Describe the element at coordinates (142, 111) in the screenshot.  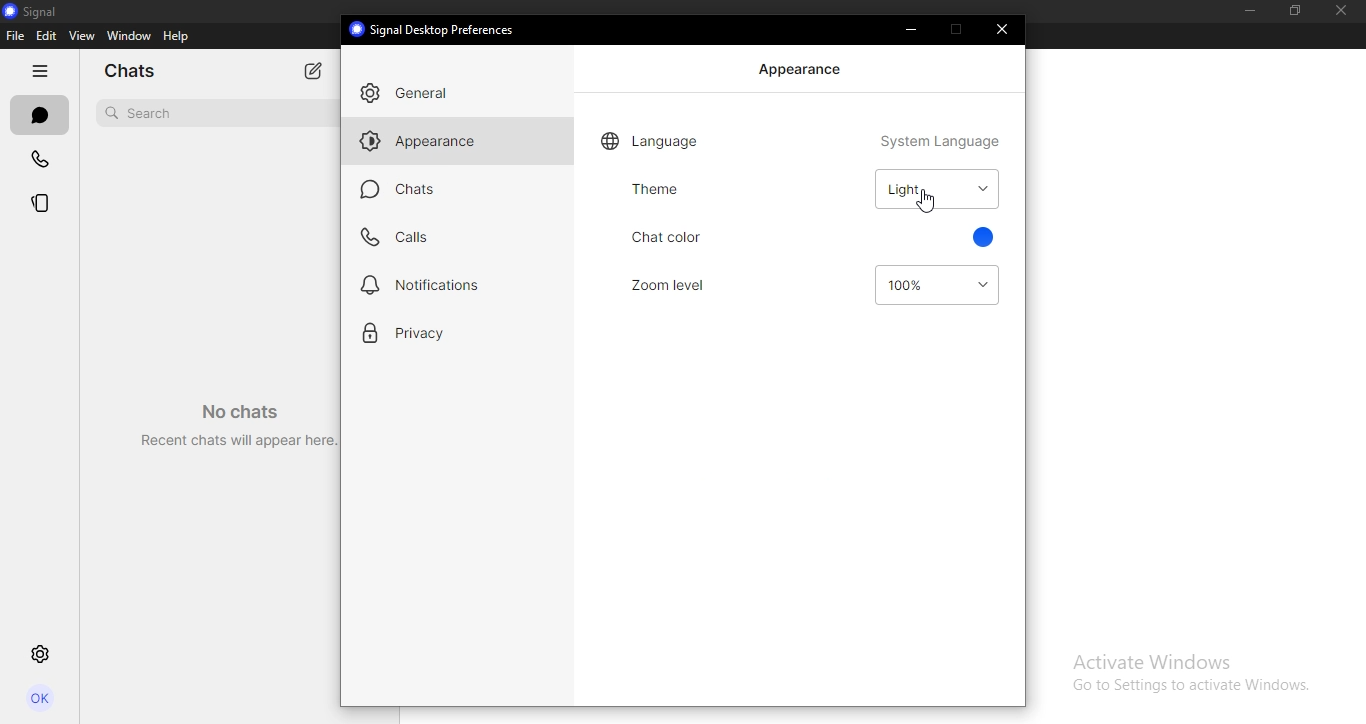
I see `search` at that location.